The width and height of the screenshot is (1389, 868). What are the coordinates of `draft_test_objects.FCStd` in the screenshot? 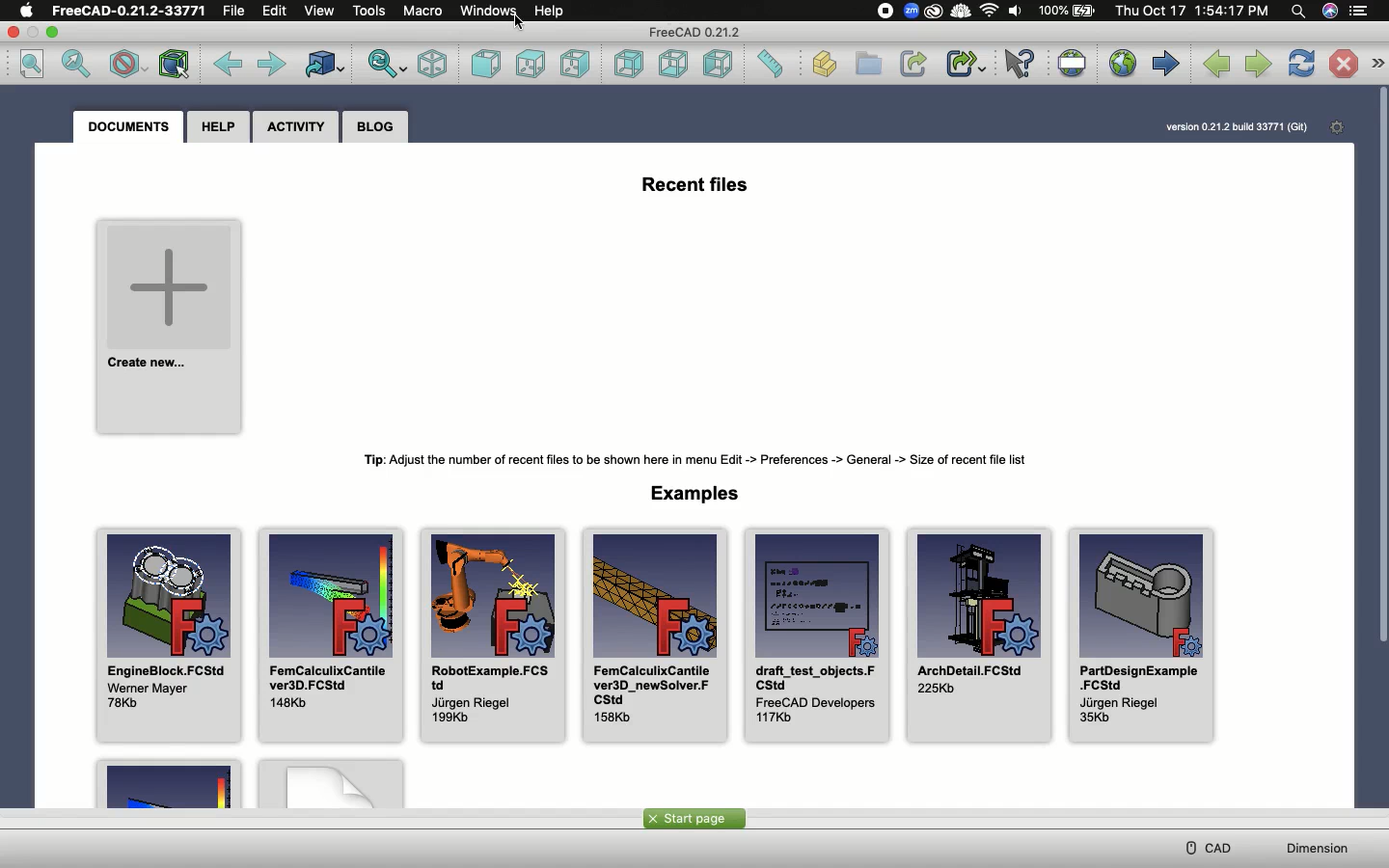 It's located at (818, 636).